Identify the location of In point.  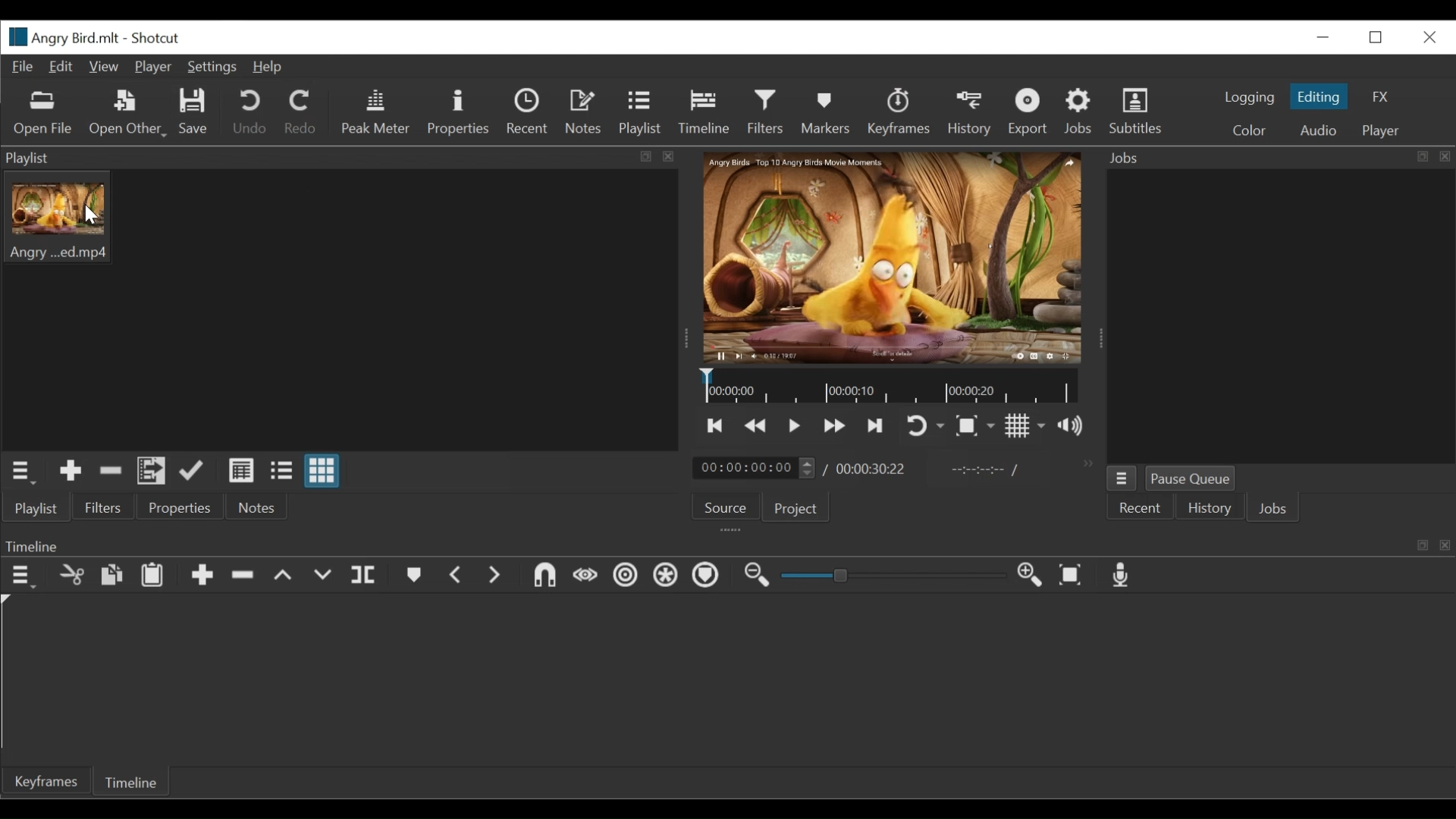
(984, 470).